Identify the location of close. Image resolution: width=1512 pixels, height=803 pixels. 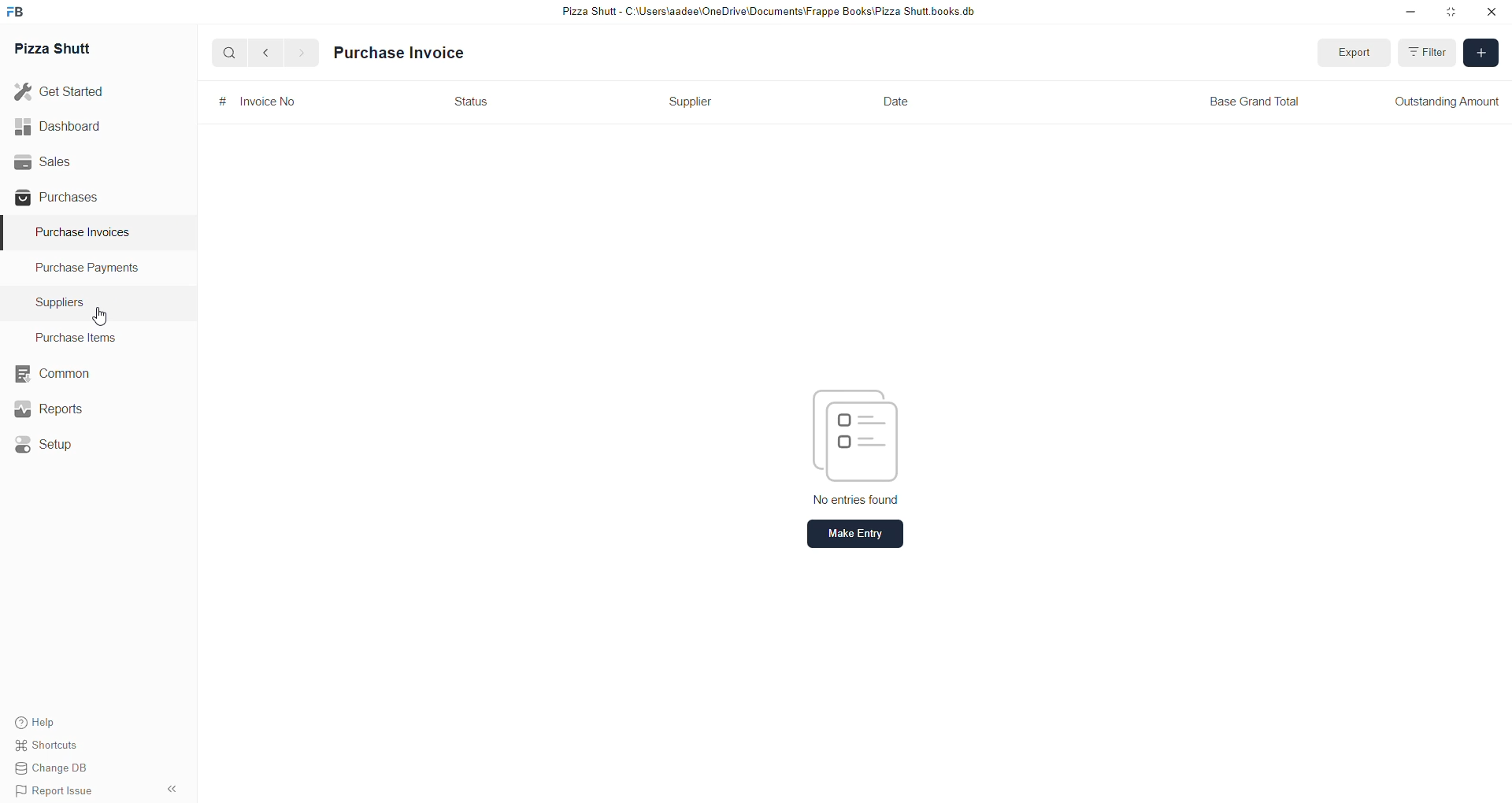
(1490, 12).